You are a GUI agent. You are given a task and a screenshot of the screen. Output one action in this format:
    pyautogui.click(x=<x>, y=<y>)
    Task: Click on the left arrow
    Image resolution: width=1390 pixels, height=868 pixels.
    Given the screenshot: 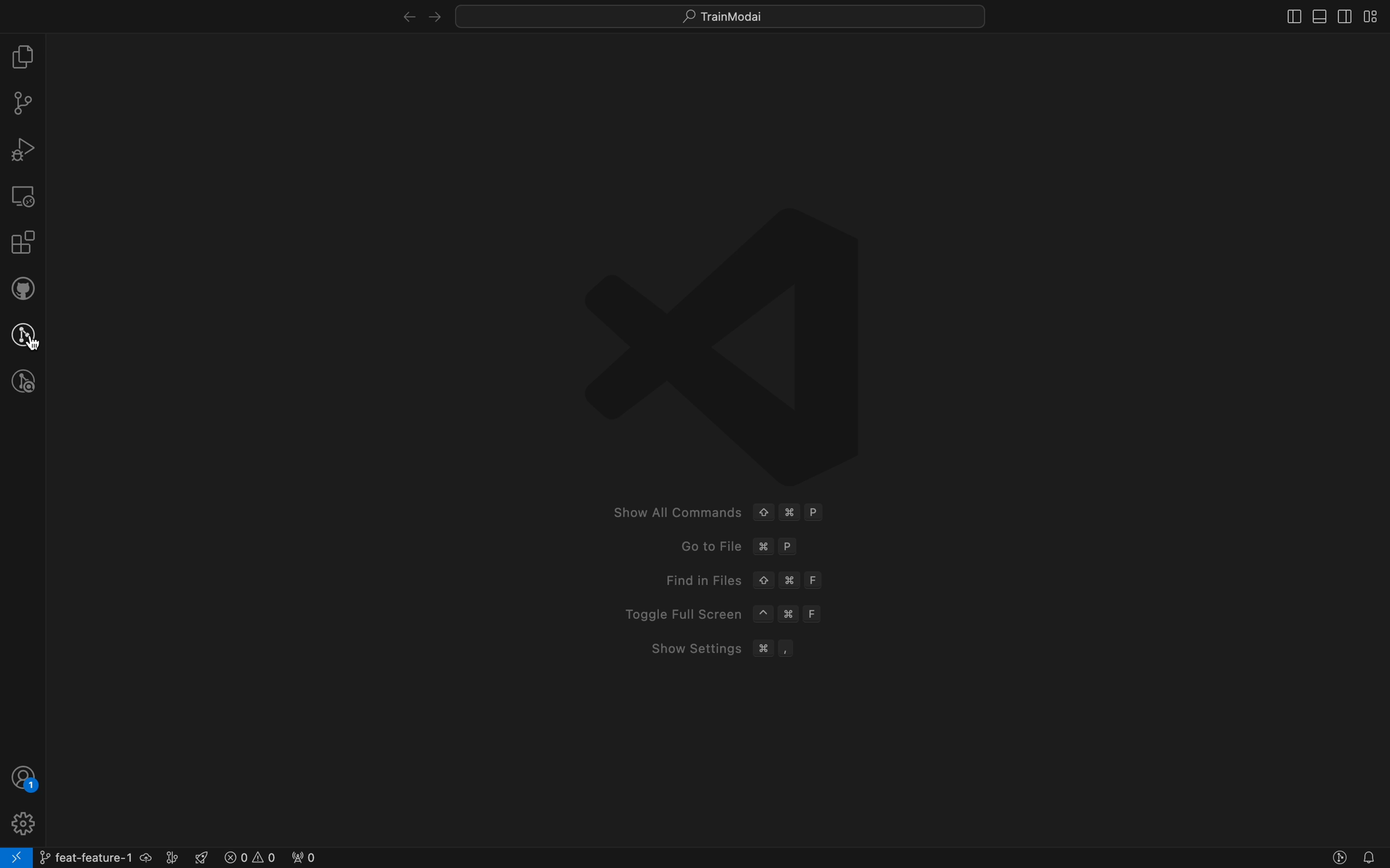 What is the action you would take?
    pyautogui.click(x=436, y=15)
    